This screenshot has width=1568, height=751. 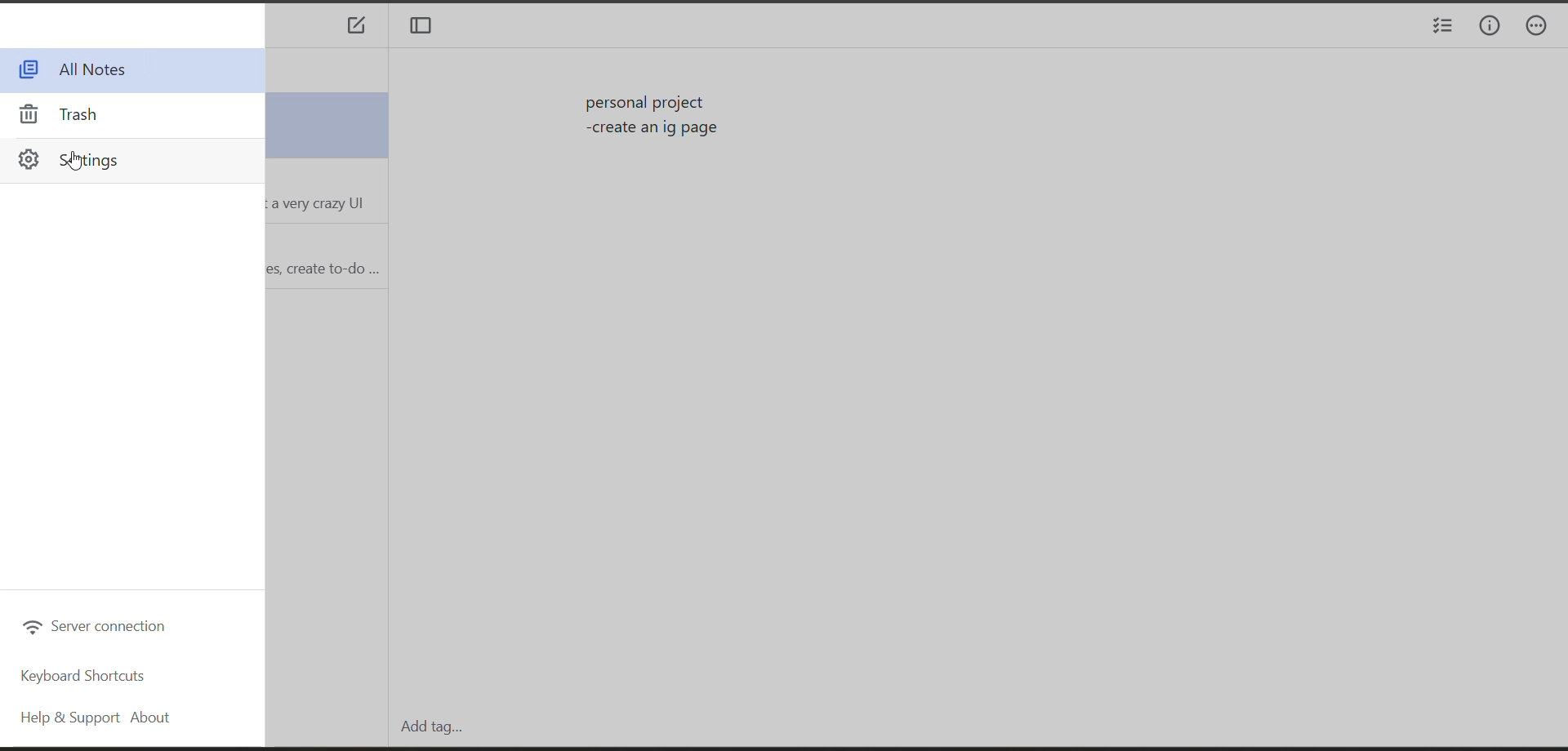 What do you see at coordinates (1490, 27) in the screenshot?
I see `infor` at bounding box center [1490, 27].